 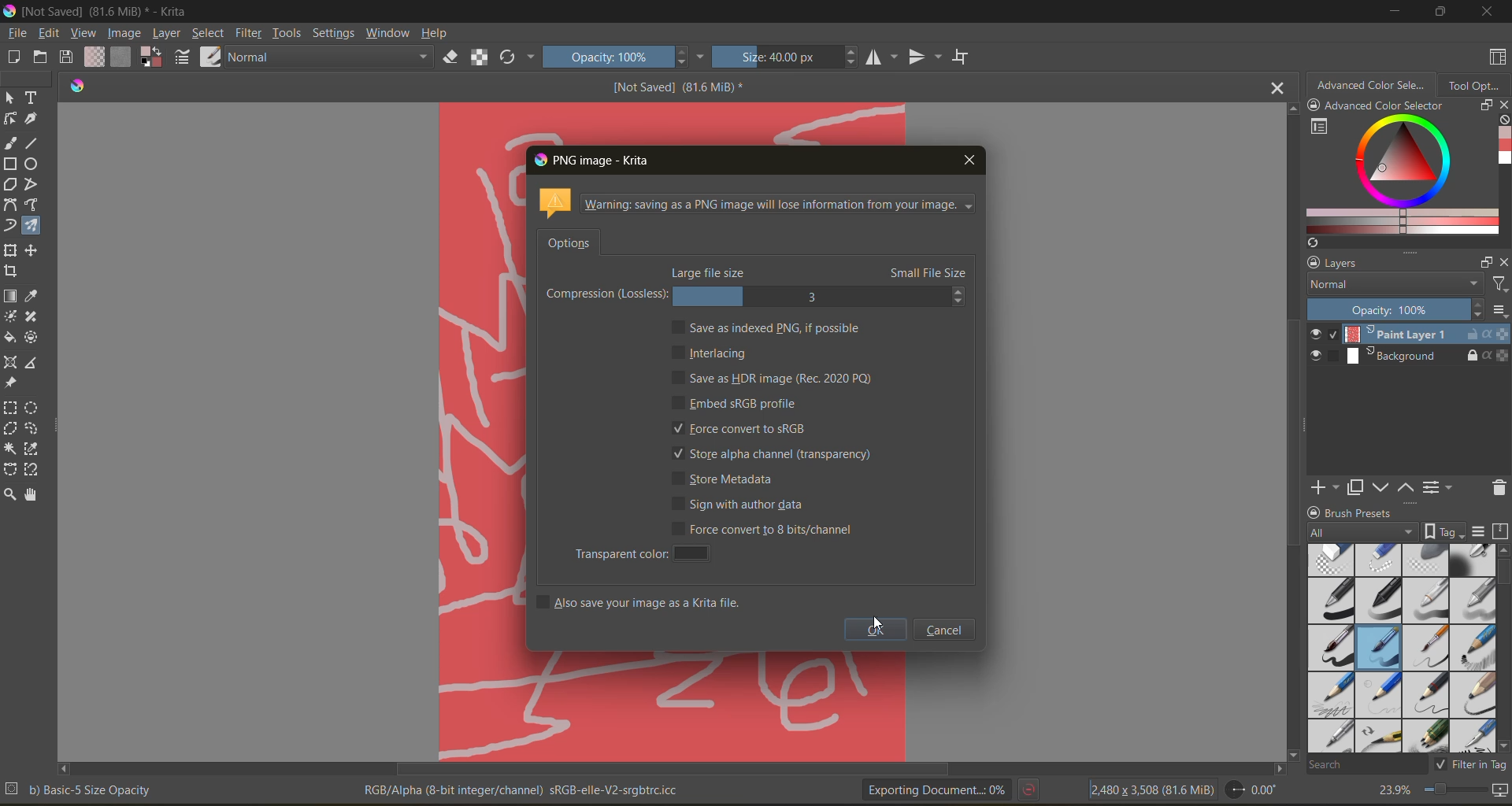 I want to click on tool, so click(x=31, y=469).